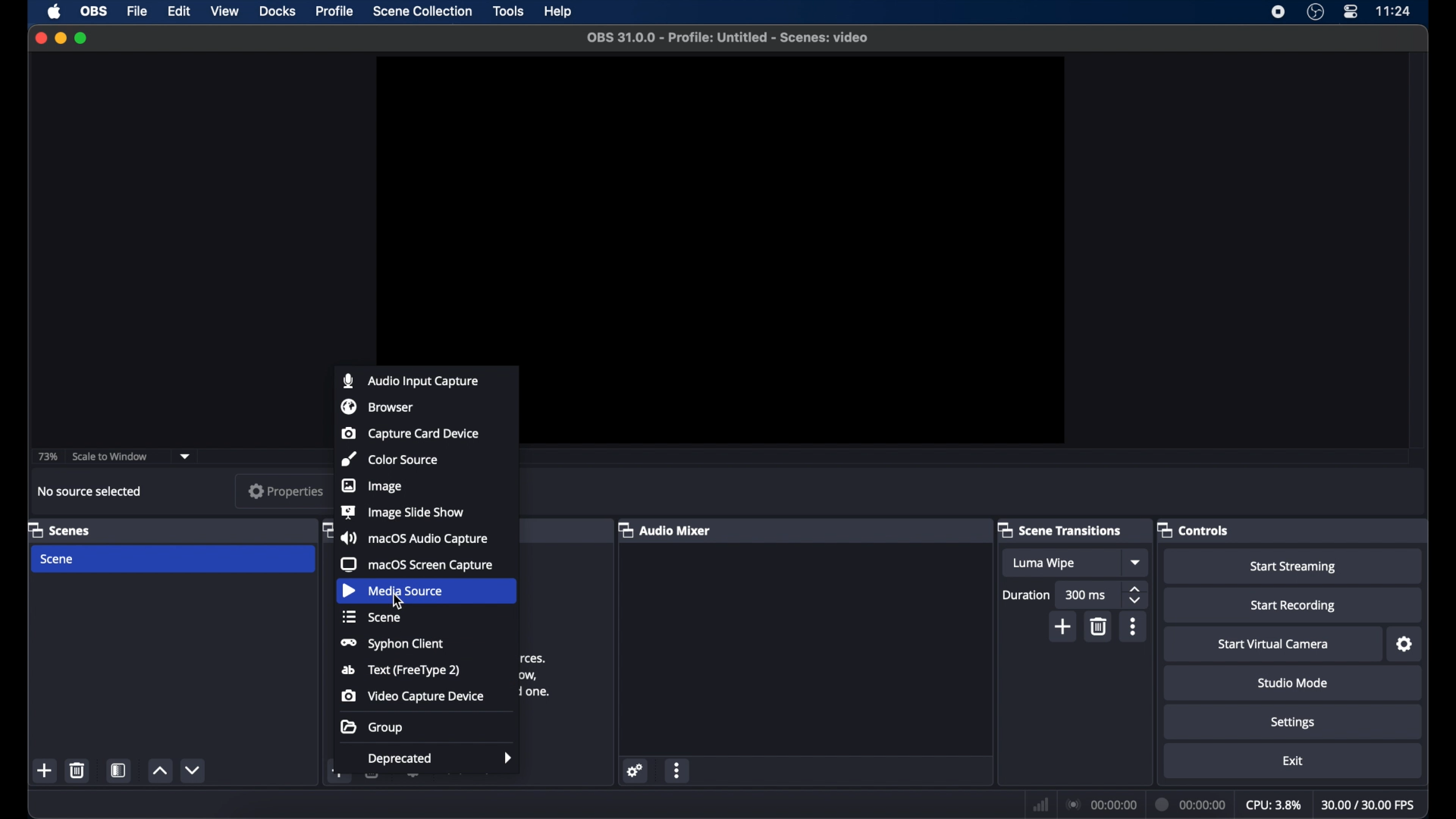  Describe the element at coordinates (110, 457) in the screenshot. I see `scale to window` at that location.